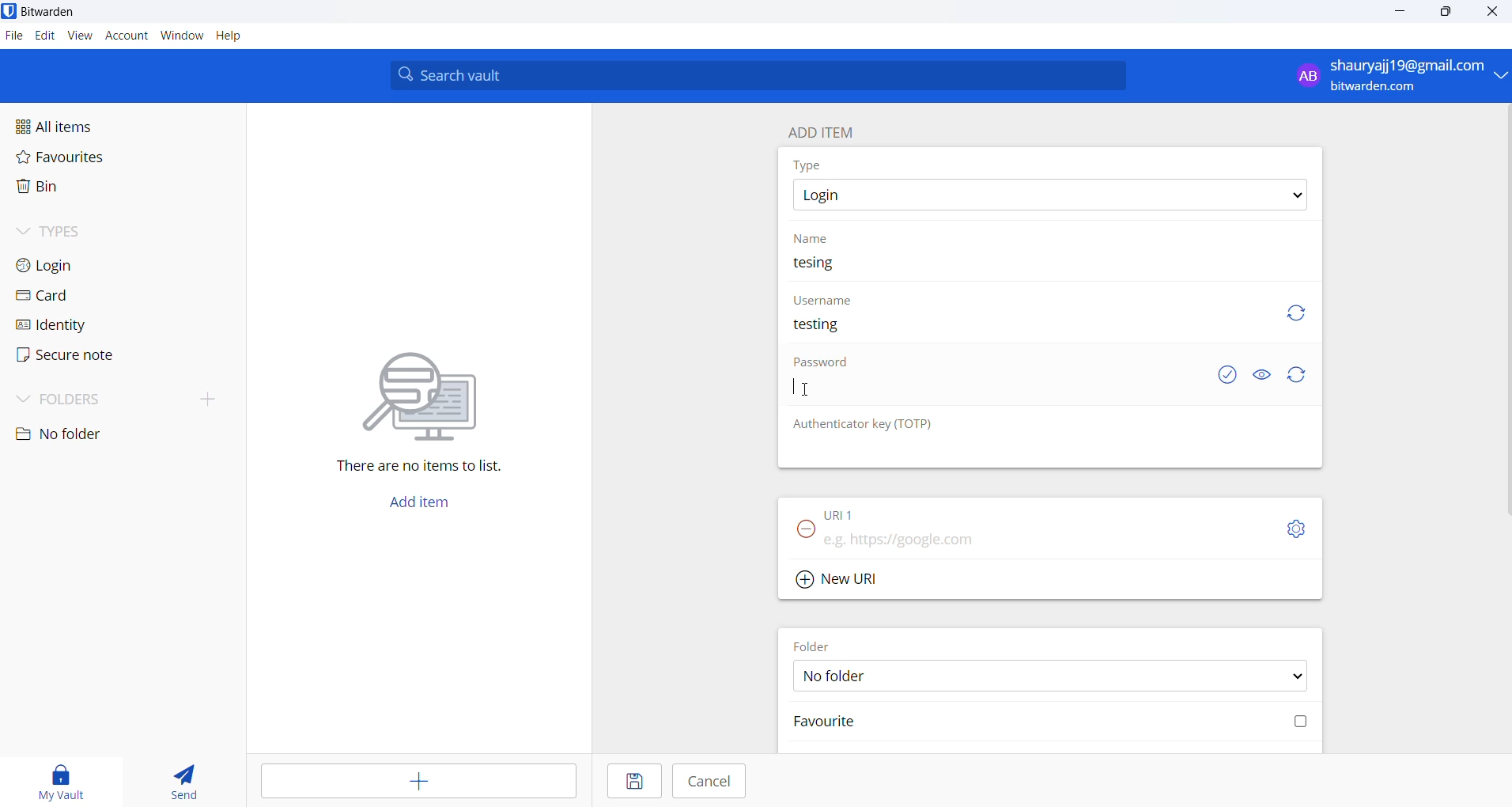 The height and width of the screenshot is (807, 1512). I want to click on types, so click(98, 237).